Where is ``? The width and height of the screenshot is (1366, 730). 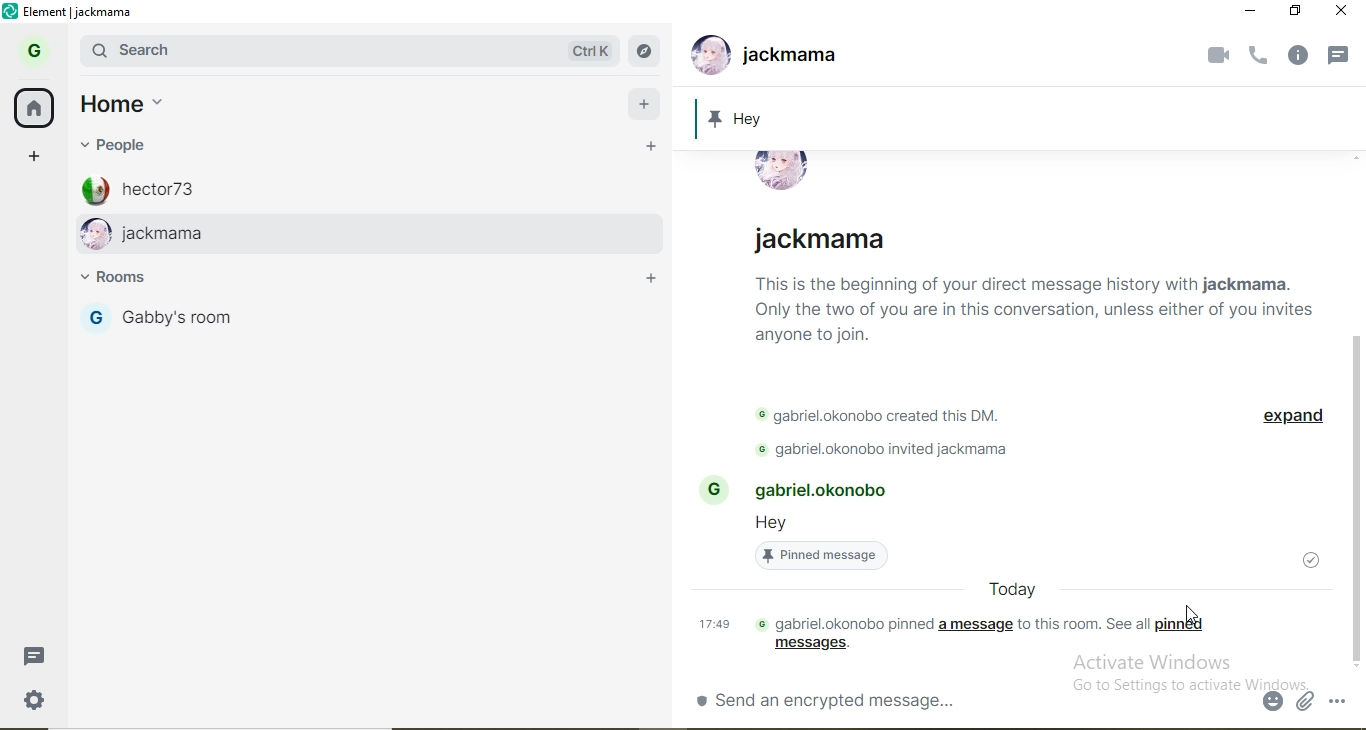
 is located at coordinates (826, 239).